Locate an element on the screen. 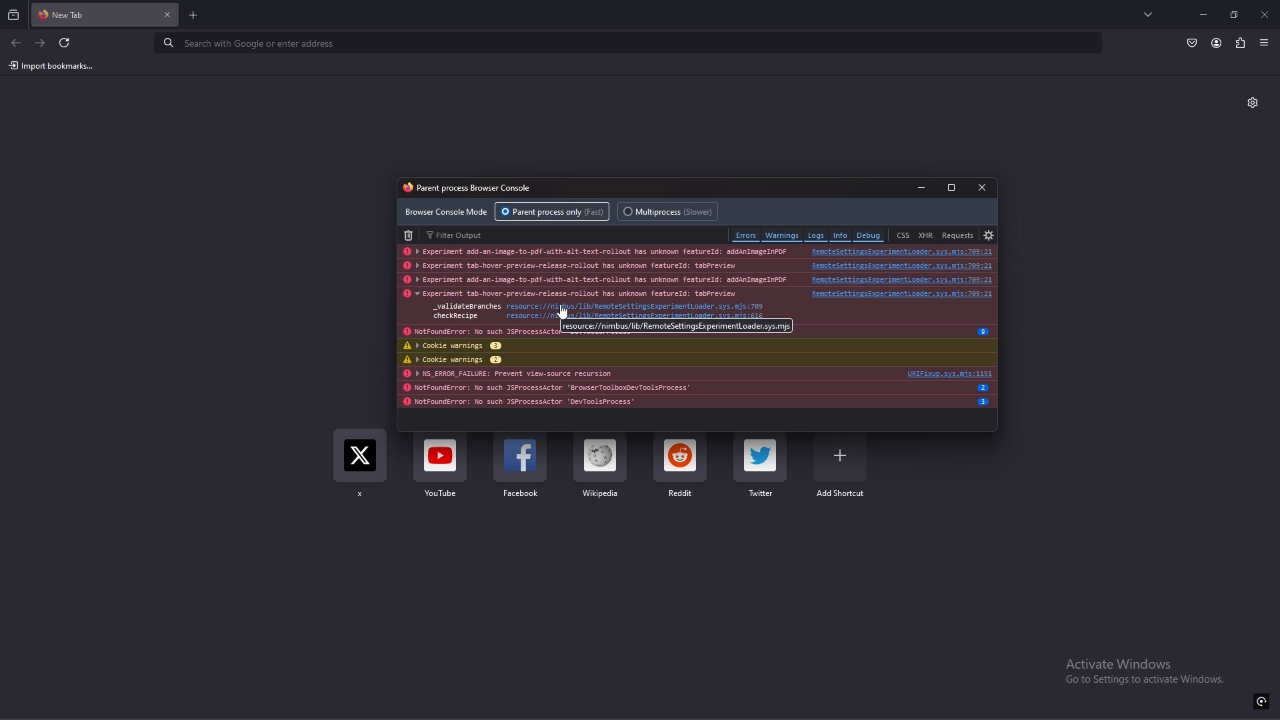 Image resolution: width=1280 pixels, height=720 pixels. filter output is located at coordinates (457, 234).